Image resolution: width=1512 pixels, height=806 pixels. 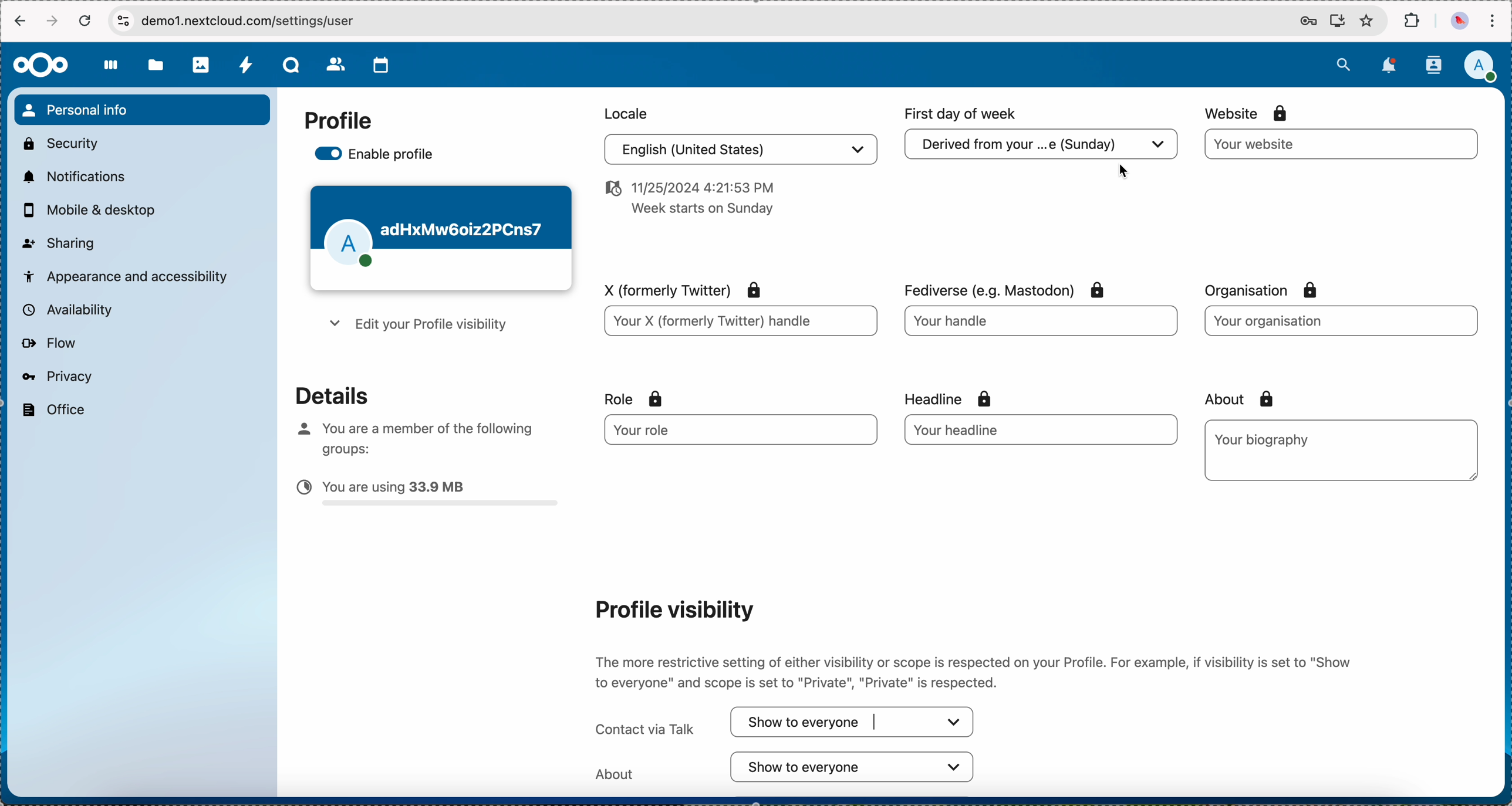 I want to click on edit your profile visibility, so click(x=415, y=327).